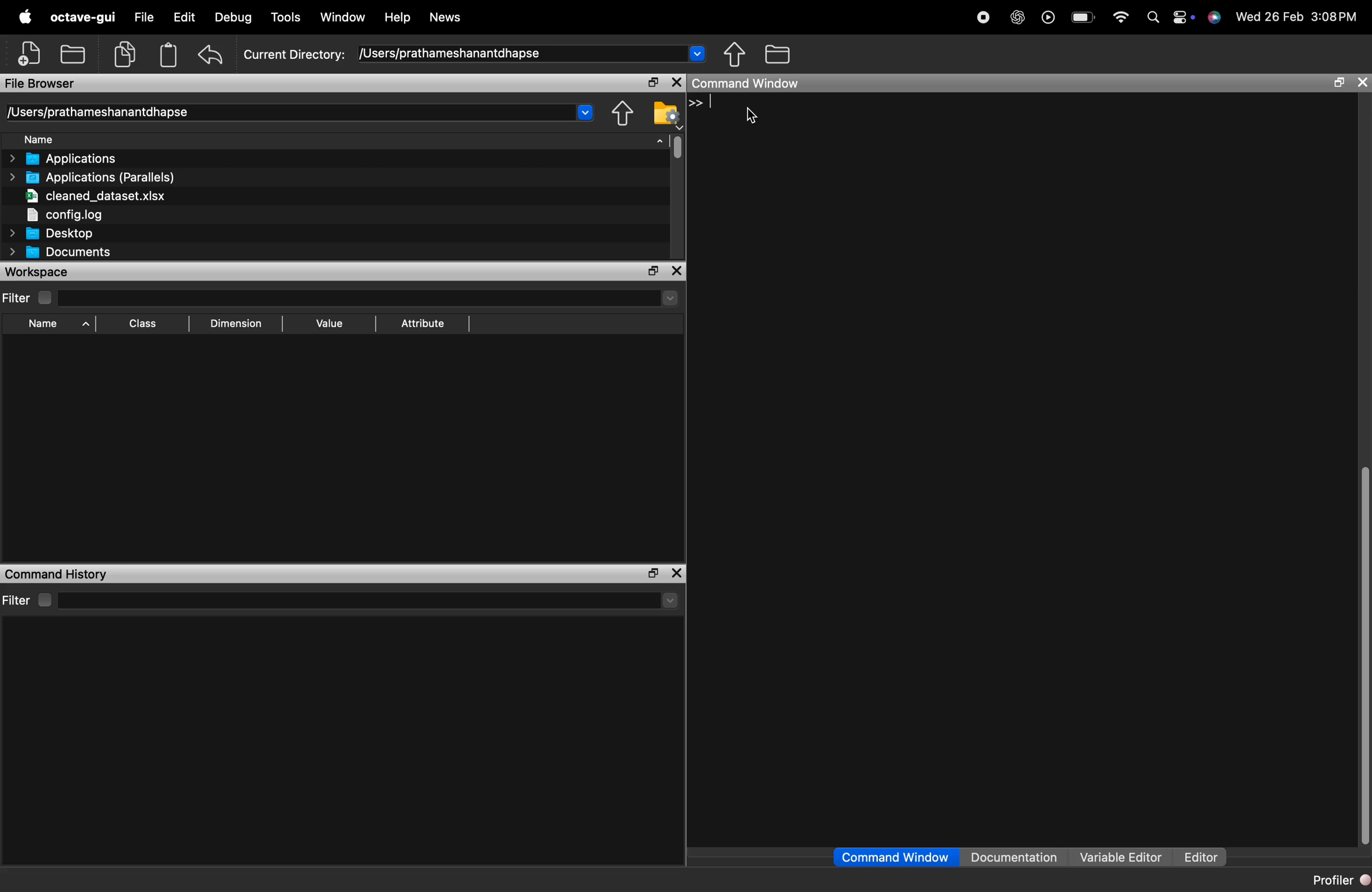 Image resolution: width=1372 pixels, height=892 pixels. Describe the element at coordinates (64, 157) in the screenshot. I see `Applications` at that location.